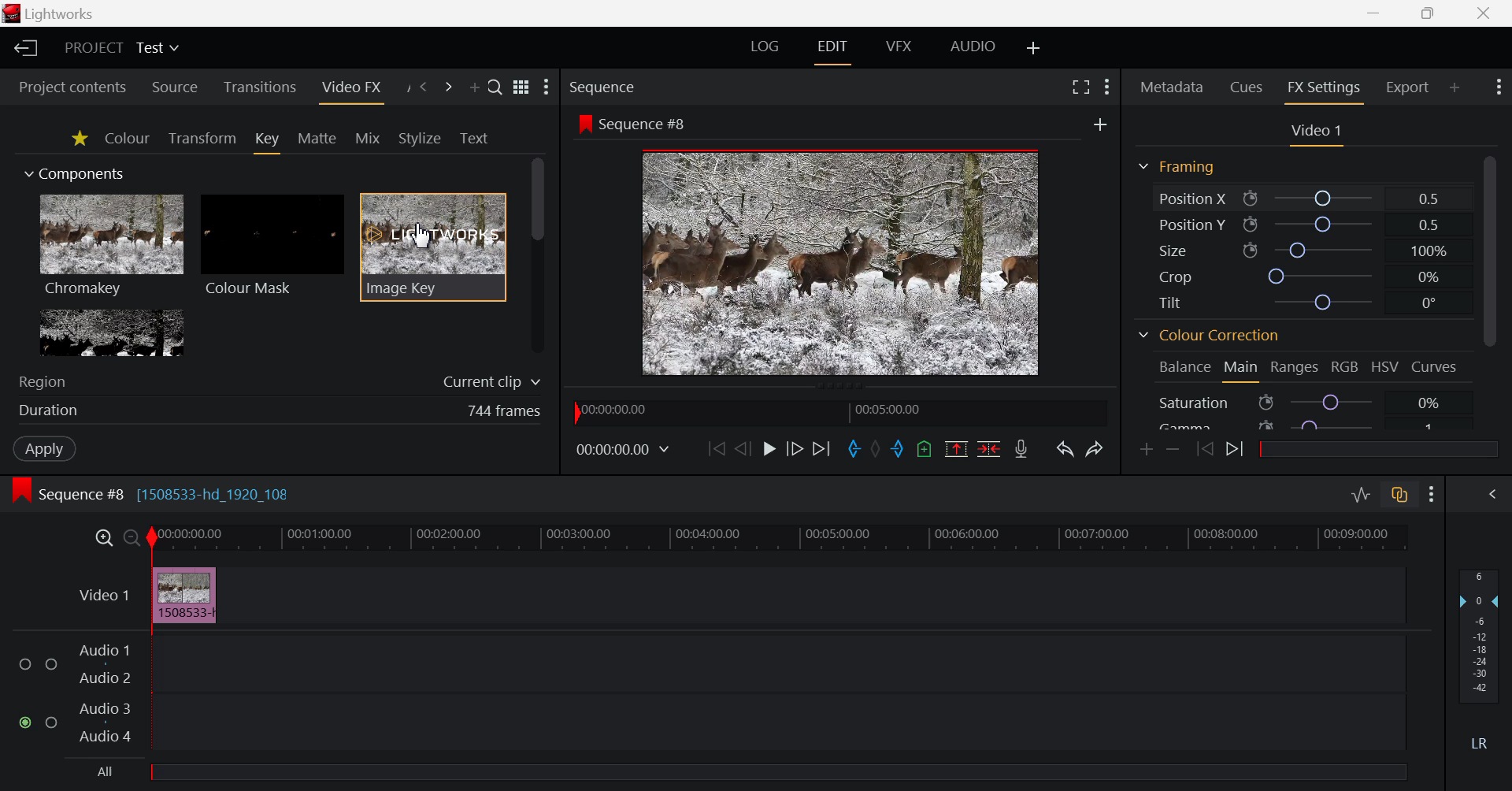 The height and width of the screenshot is (791, 1512). What do you see at coordinates (1429, 277) in the screenshot?
I see `0%` at bounding box center [1429, 277].